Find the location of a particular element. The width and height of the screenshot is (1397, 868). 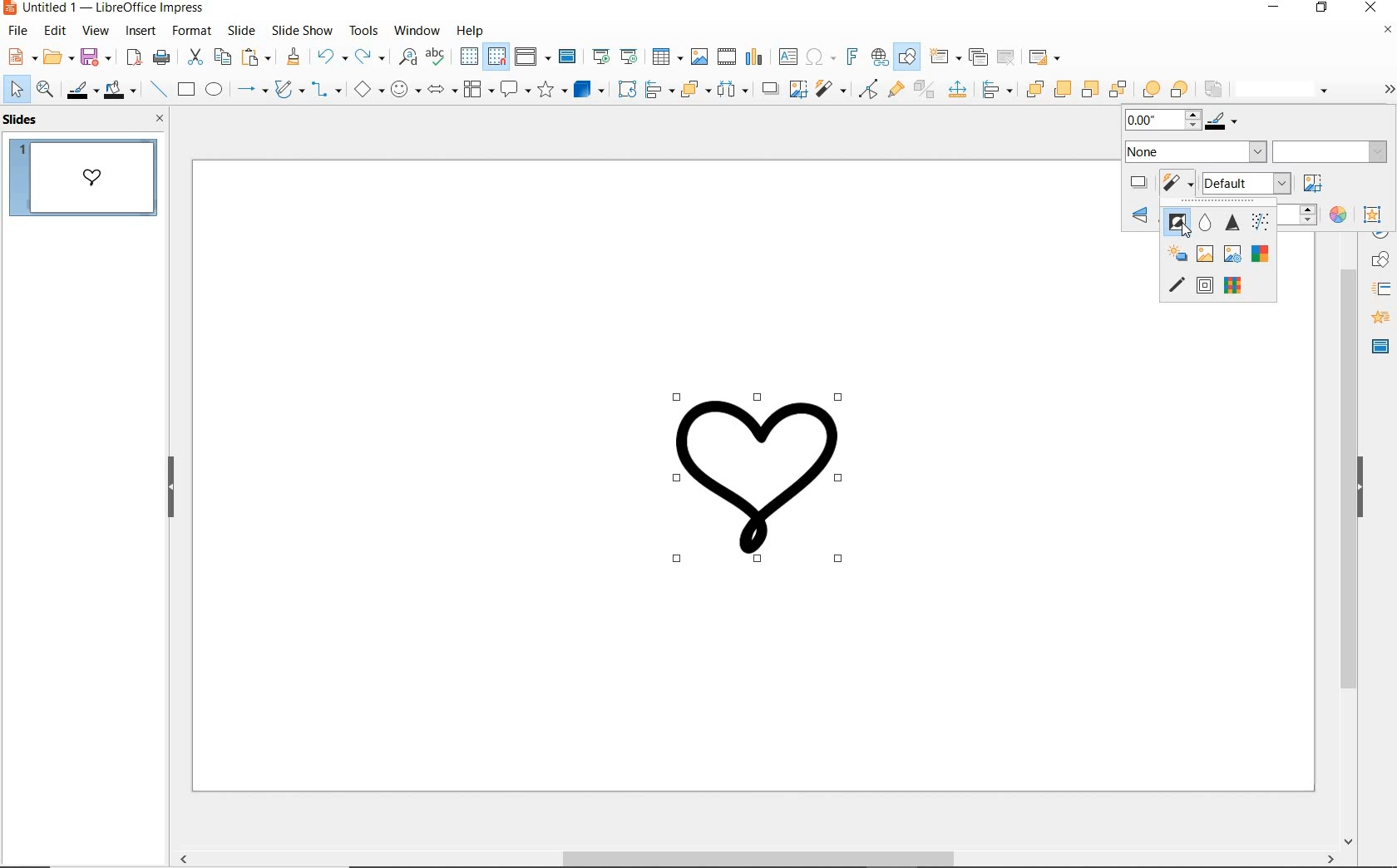

clone formatting is located at coordinates (292, 57).